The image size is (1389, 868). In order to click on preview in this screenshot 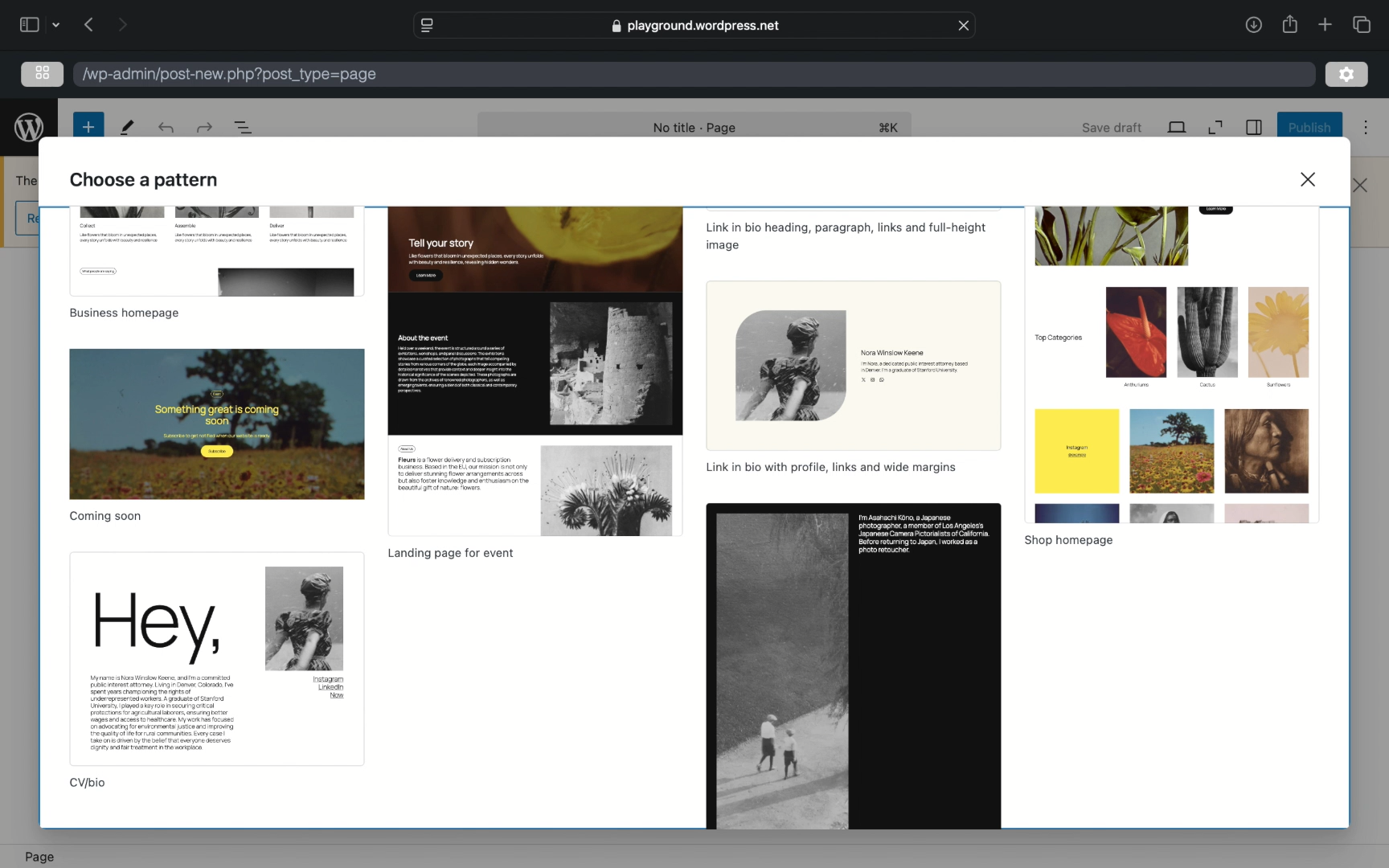, I will do `click(217, 658)`.